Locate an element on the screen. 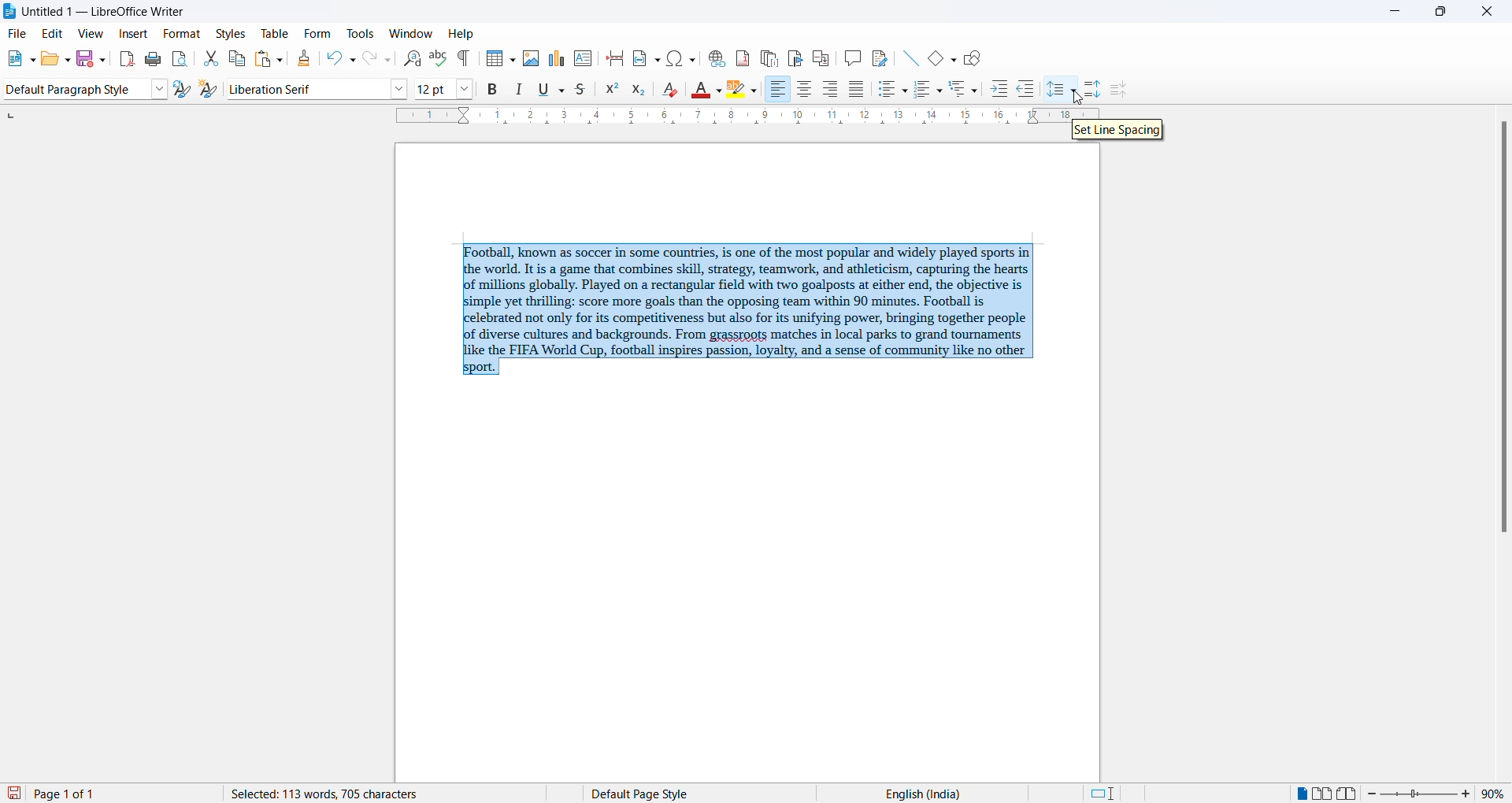  line spacing option dropdown is located at coordinates (1073, 90).